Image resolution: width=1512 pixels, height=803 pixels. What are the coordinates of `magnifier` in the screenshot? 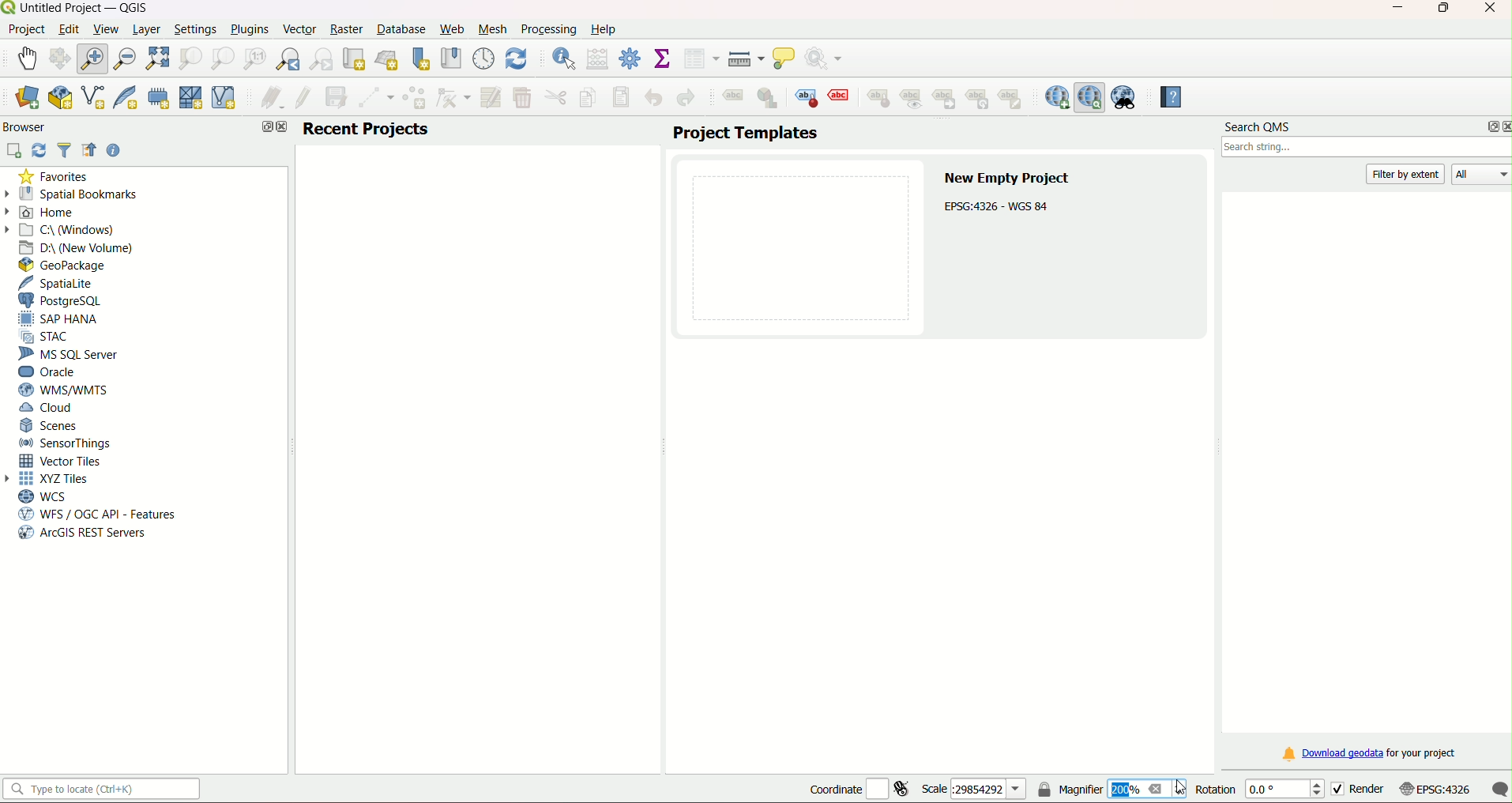 It's located at (1111, 790).